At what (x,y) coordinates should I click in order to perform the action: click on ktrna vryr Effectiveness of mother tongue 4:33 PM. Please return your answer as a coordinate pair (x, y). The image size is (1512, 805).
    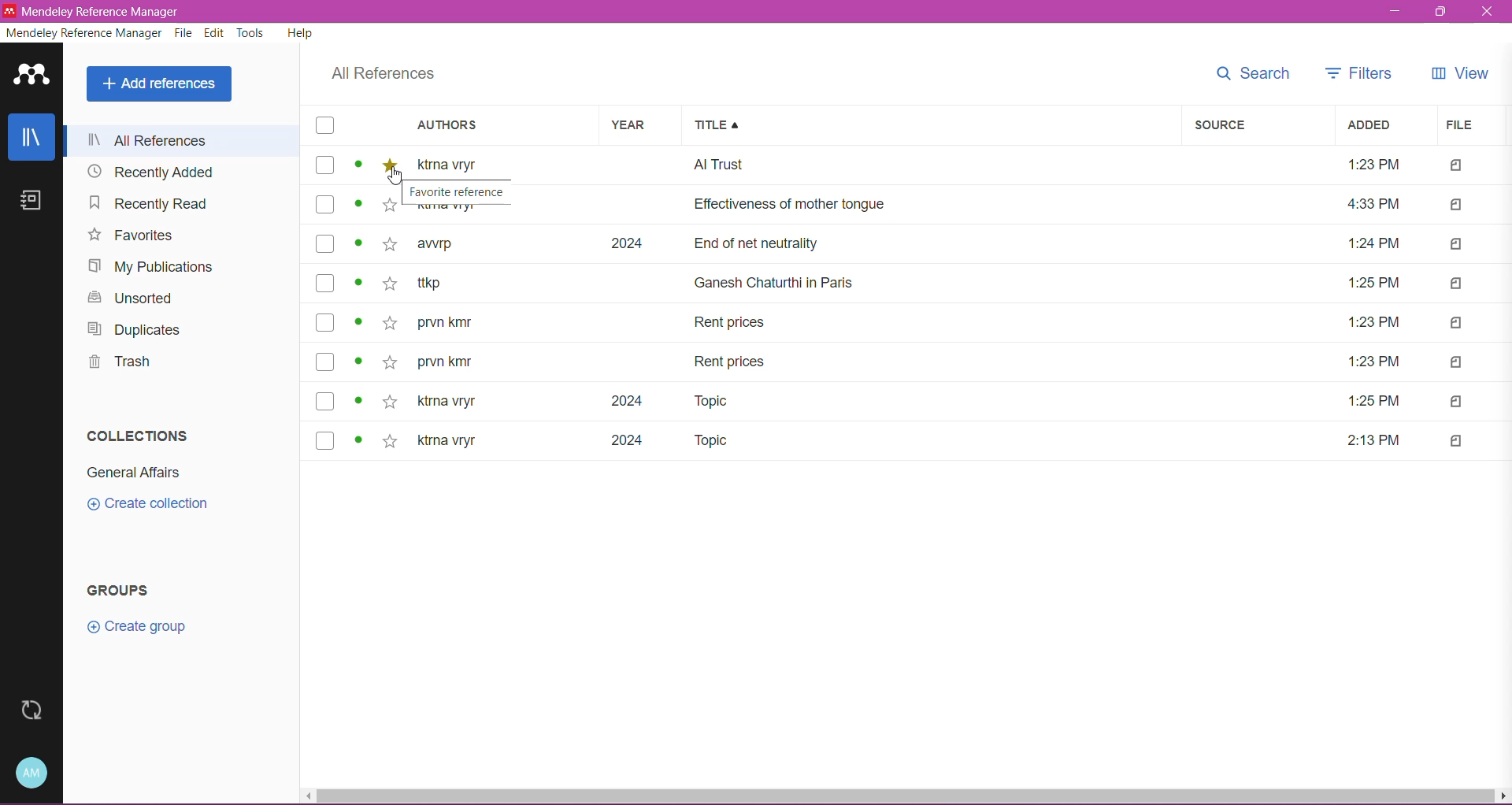
    Looking at the image, I should click on (965, 204).